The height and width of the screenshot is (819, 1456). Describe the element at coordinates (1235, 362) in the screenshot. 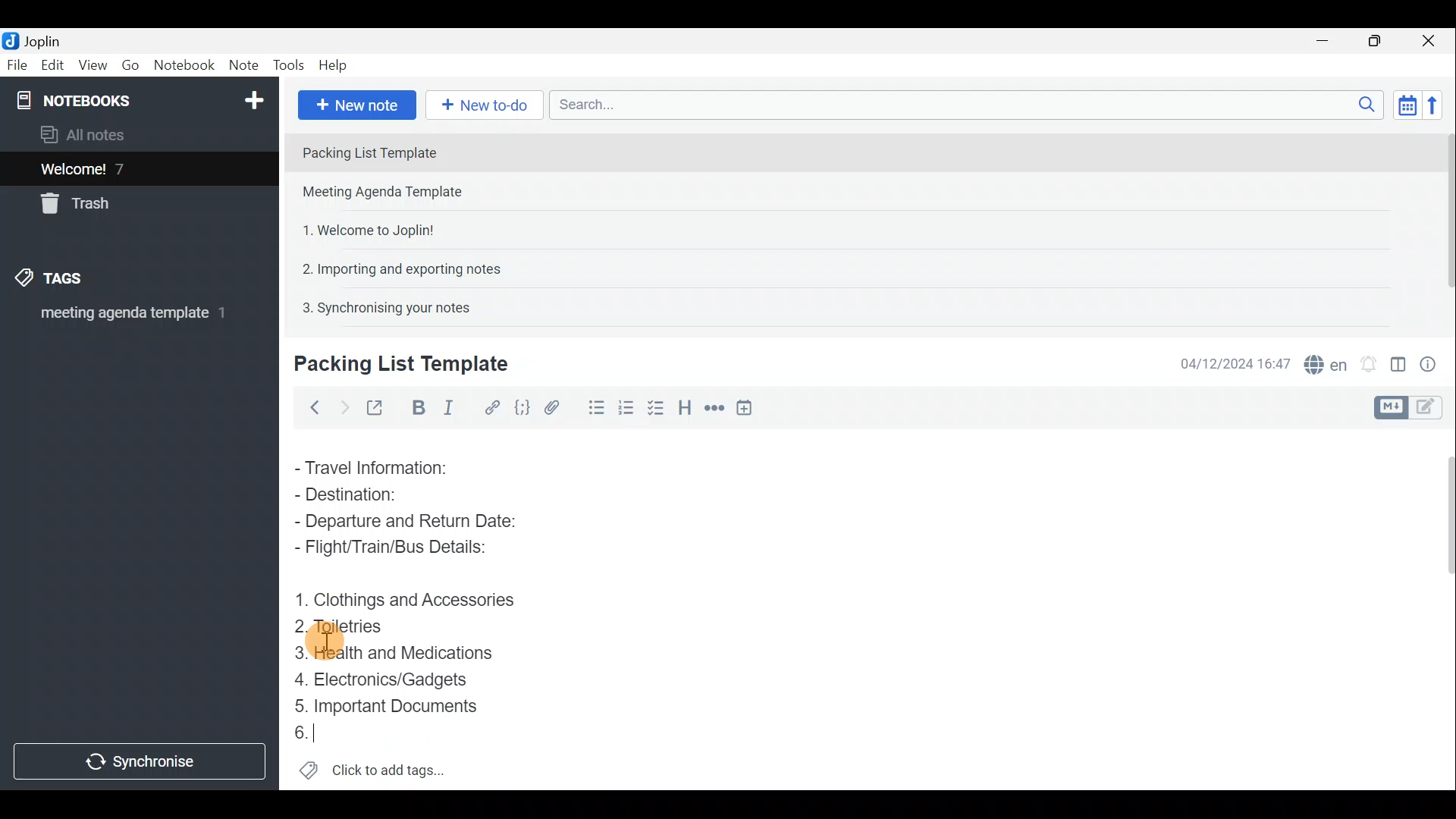

I see `Date & time` at that location.